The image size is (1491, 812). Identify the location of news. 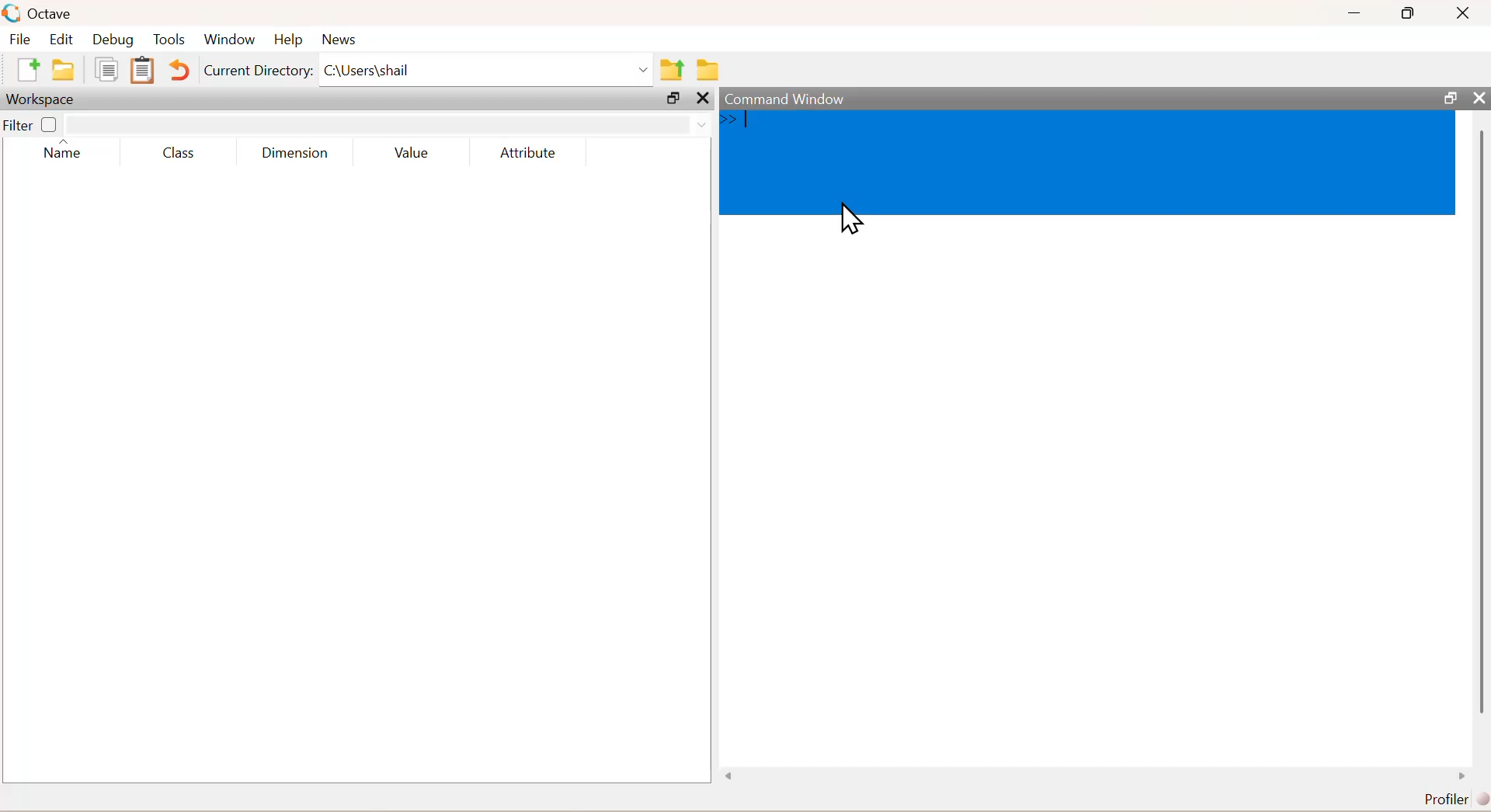
(342, 40).